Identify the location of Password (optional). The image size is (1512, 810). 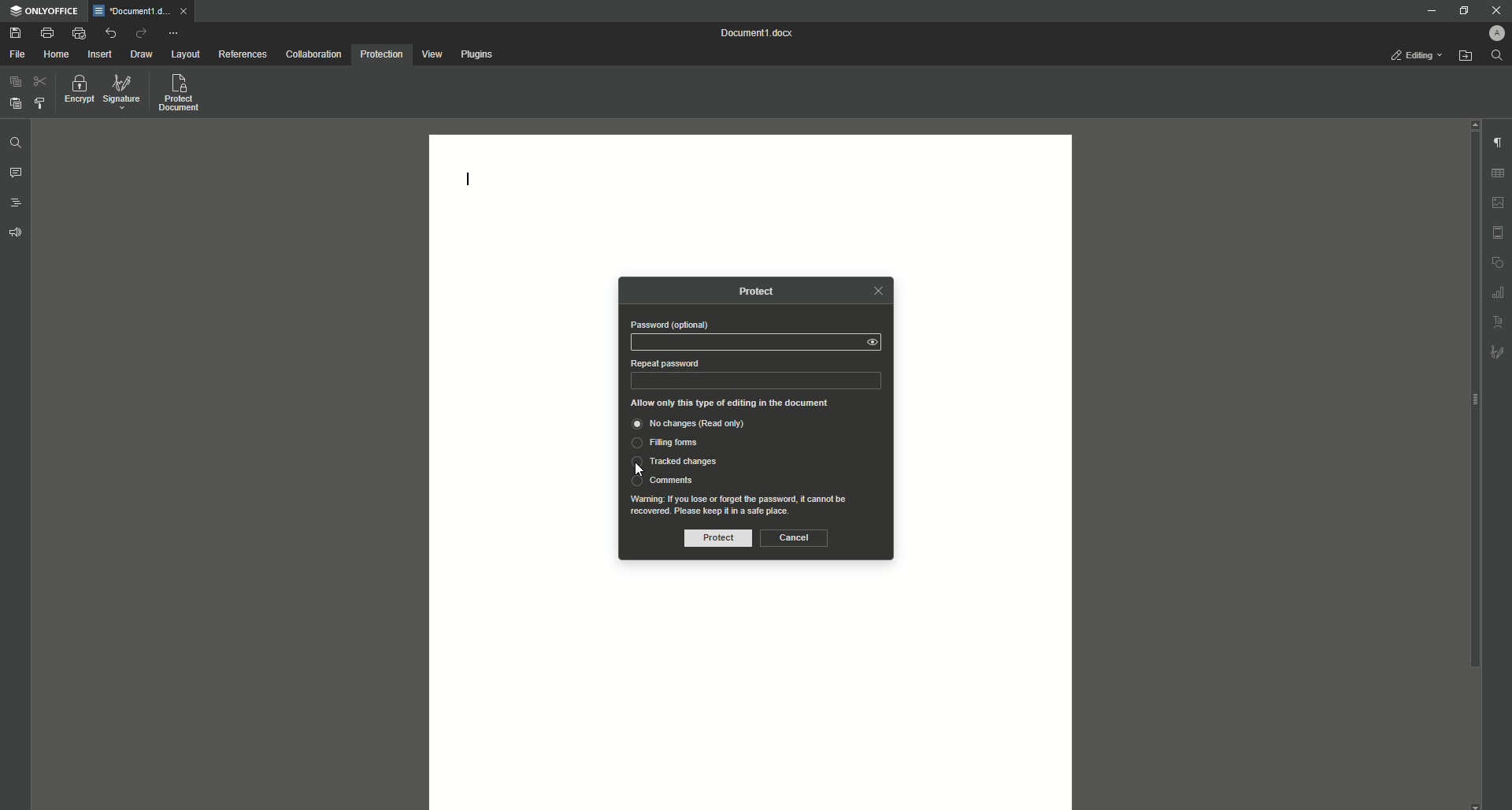
(669, 324).